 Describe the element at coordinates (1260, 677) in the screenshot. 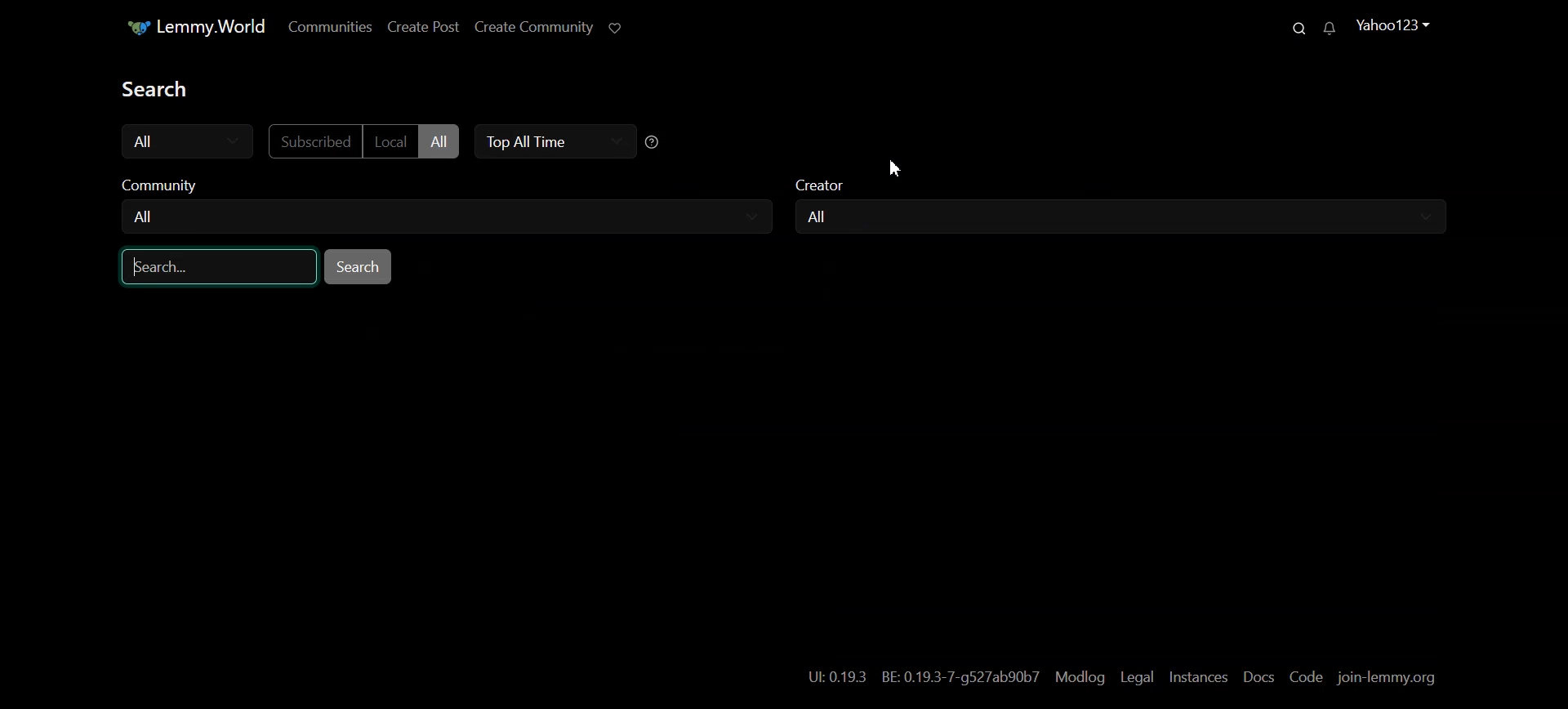

I see `Docs` at that location.